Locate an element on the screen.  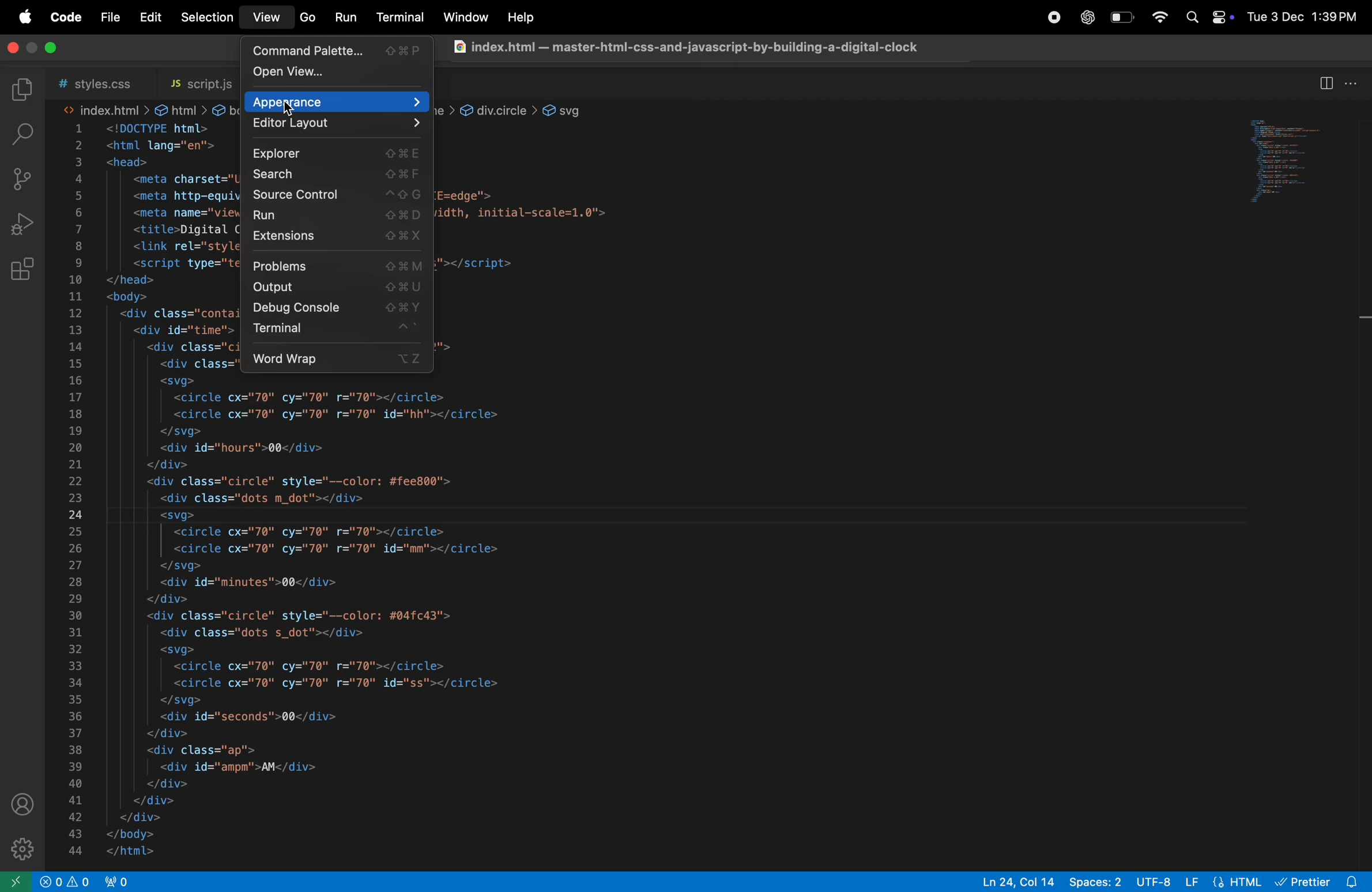
explorer is located at coordinates (25, 90).